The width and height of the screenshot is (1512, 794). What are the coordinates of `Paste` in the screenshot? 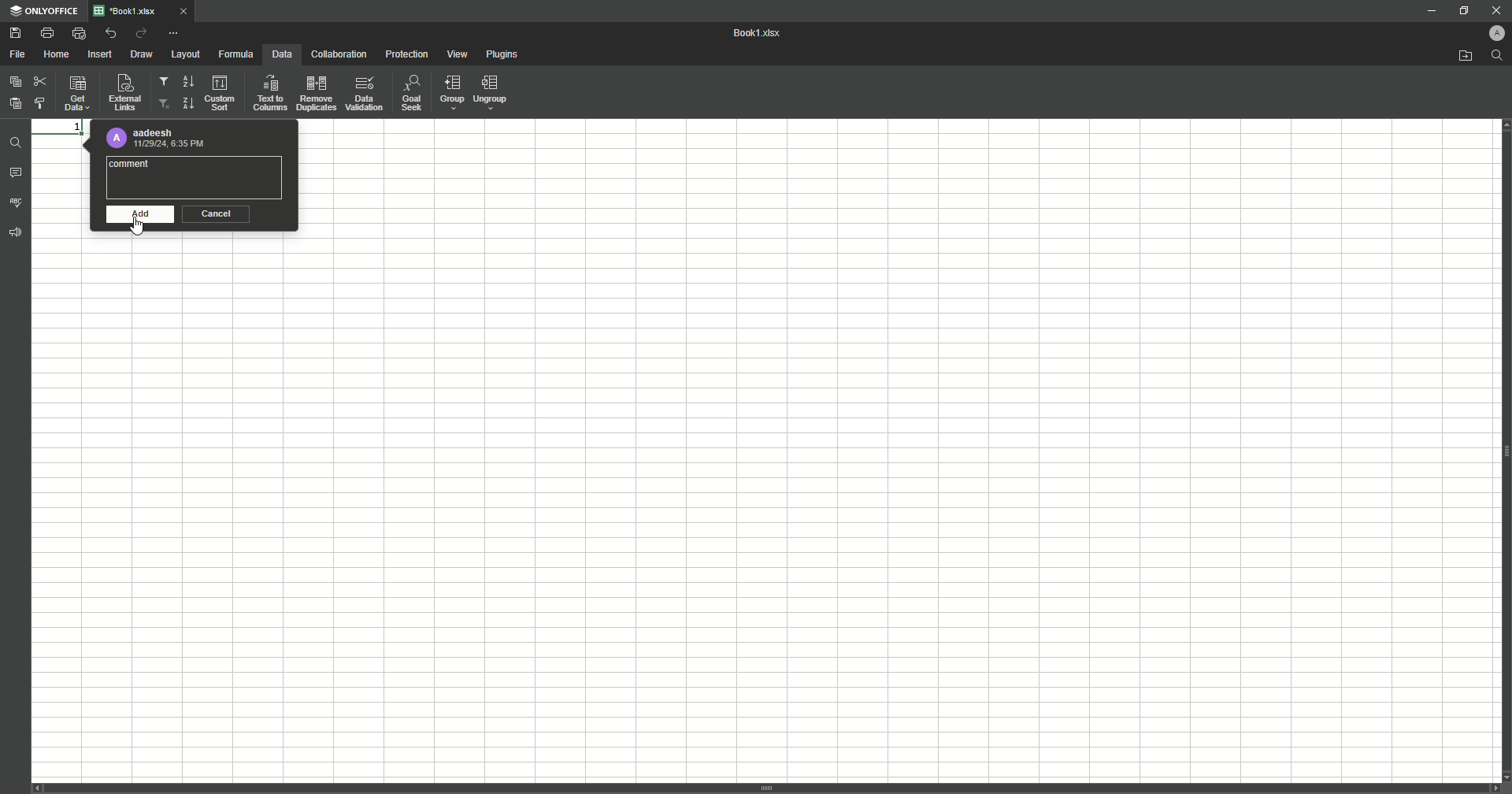 It's located at (15, 102).